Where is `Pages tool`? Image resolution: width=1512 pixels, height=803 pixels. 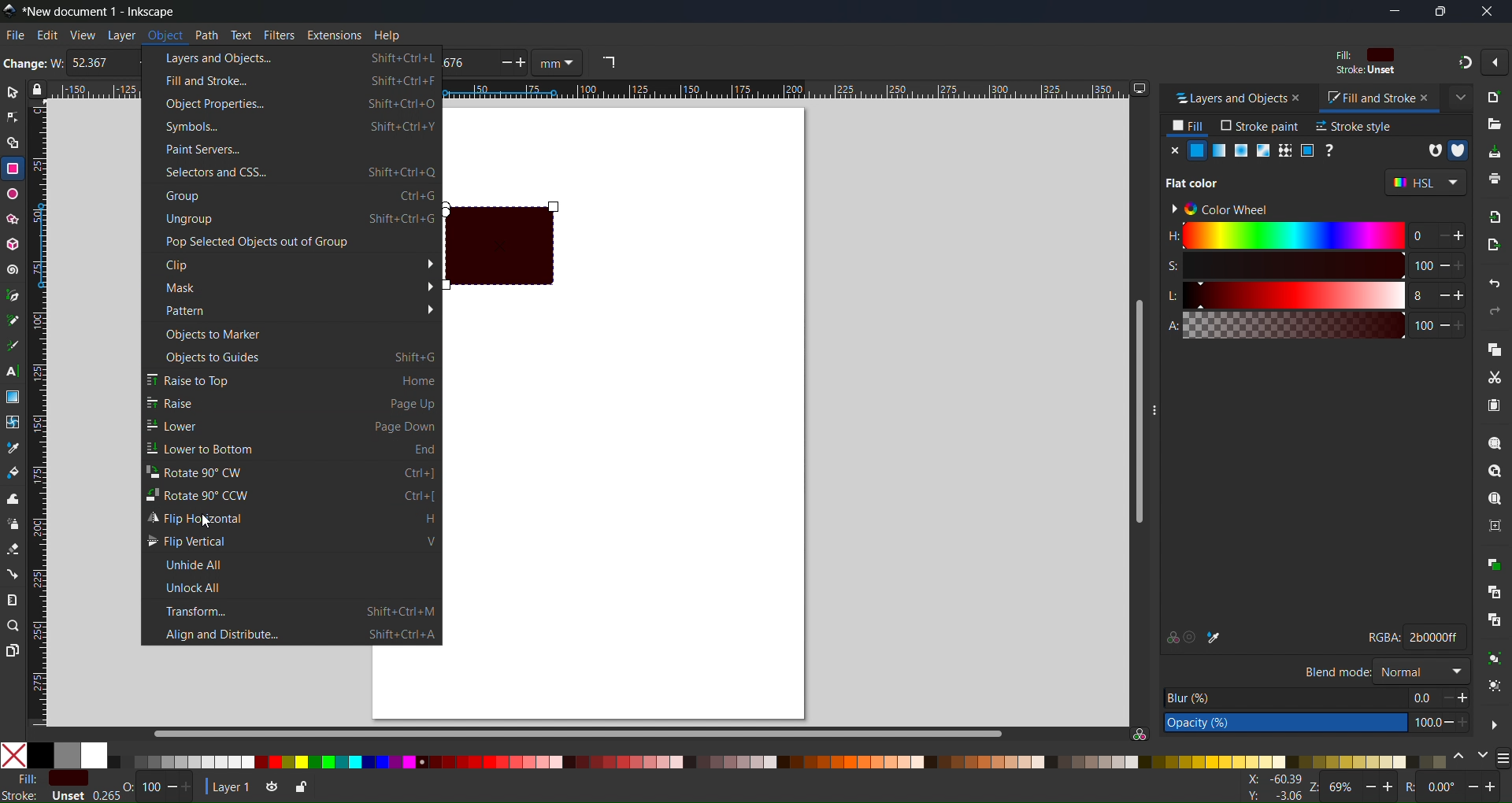 Pages tool is located at coordinates (13, 649).